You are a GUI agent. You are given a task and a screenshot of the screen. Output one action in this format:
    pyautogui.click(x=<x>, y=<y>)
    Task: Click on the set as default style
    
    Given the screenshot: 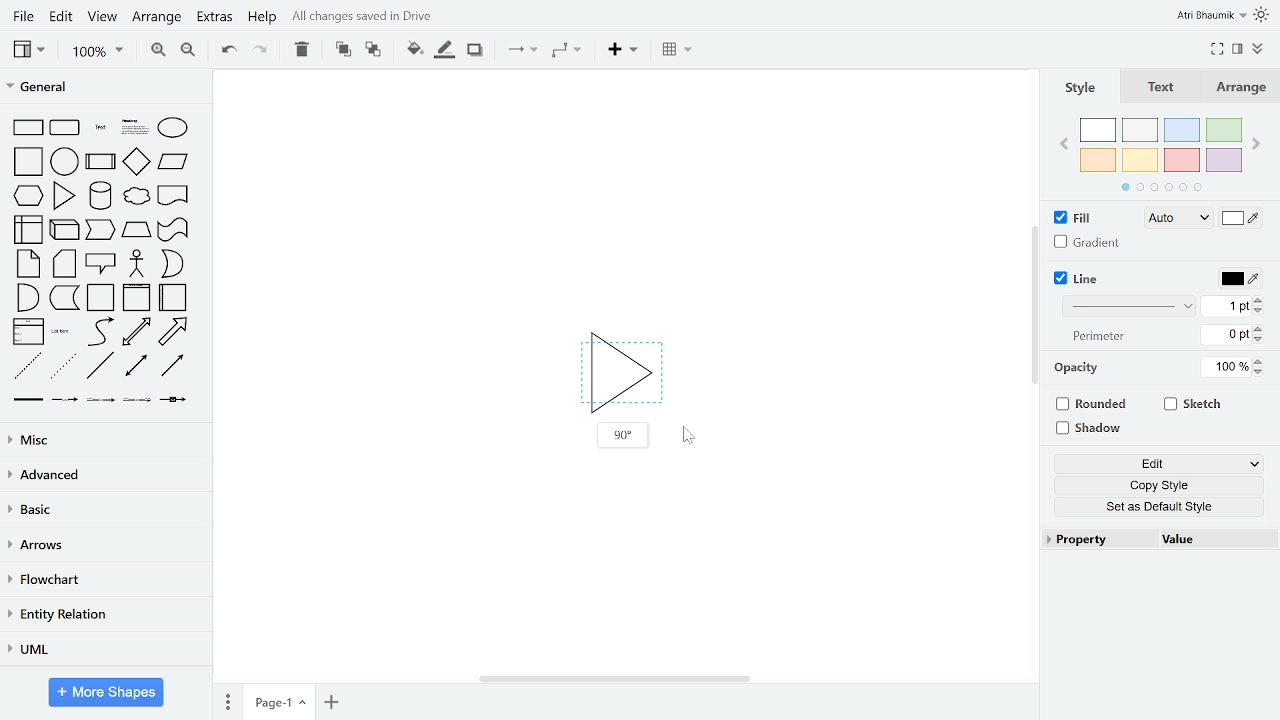 What is the action you would take?
    pyautogui.click(x=1160, y=508)
    